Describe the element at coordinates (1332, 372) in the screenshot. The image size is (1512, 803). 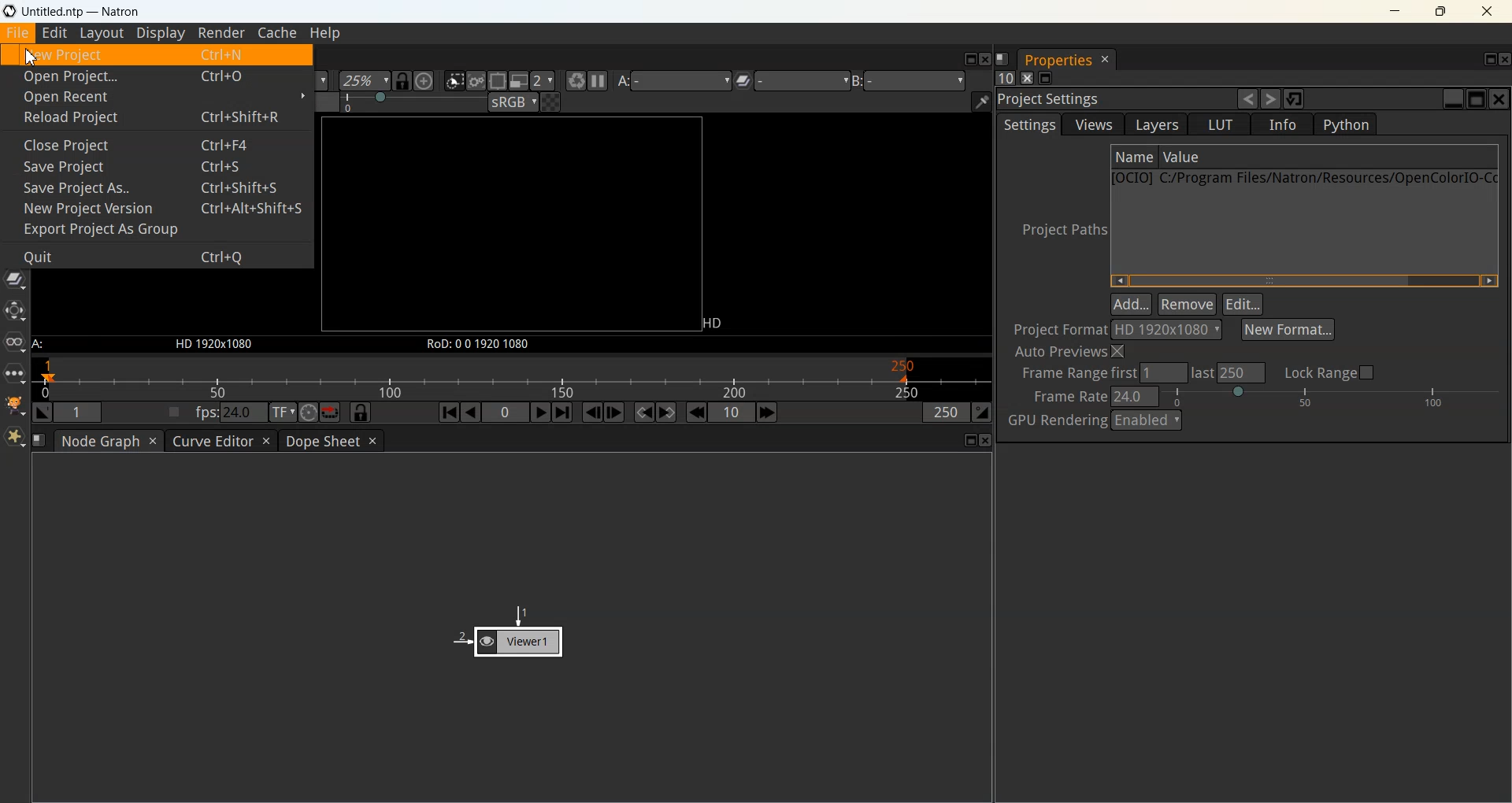
I see `Enable/disable lock range` at that location.